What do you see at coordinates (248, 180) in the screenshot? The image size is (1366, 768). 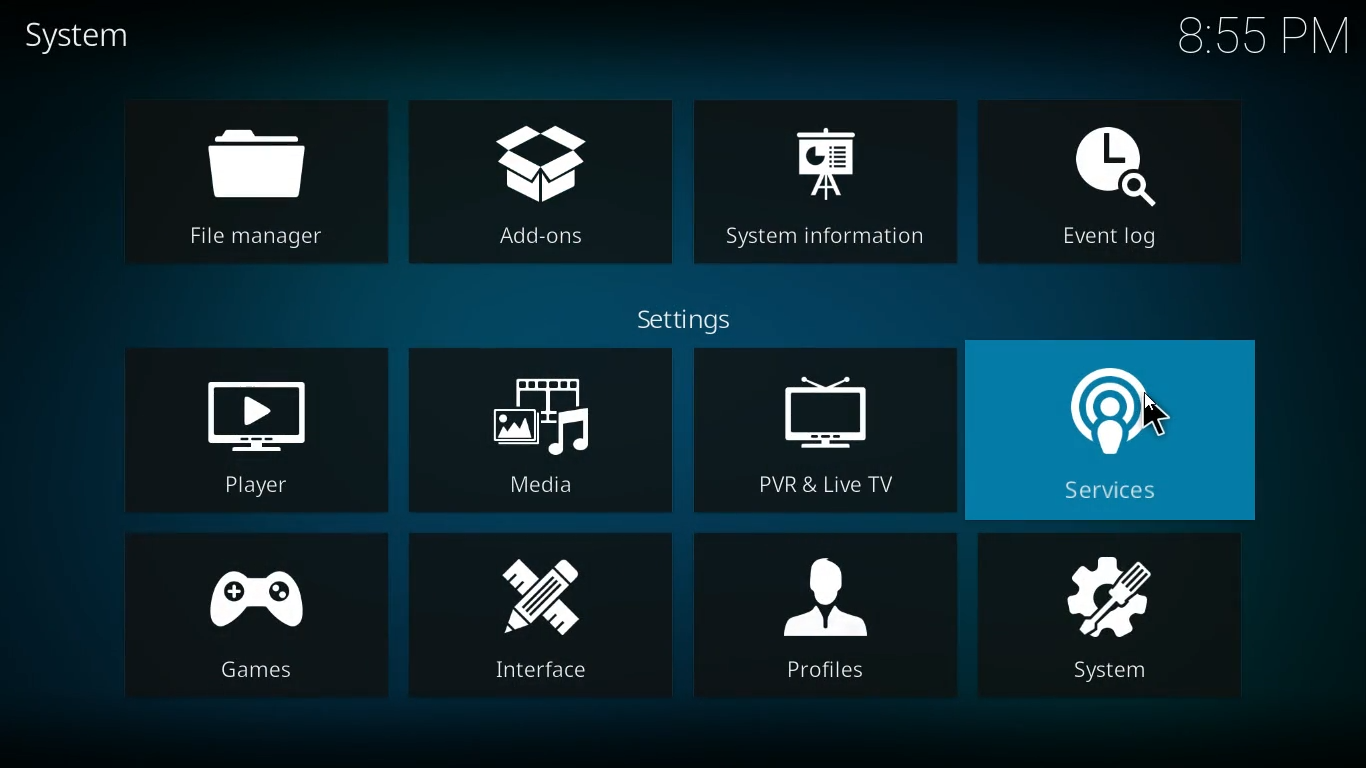 I see `file manager` at bounding box center [248, 180].